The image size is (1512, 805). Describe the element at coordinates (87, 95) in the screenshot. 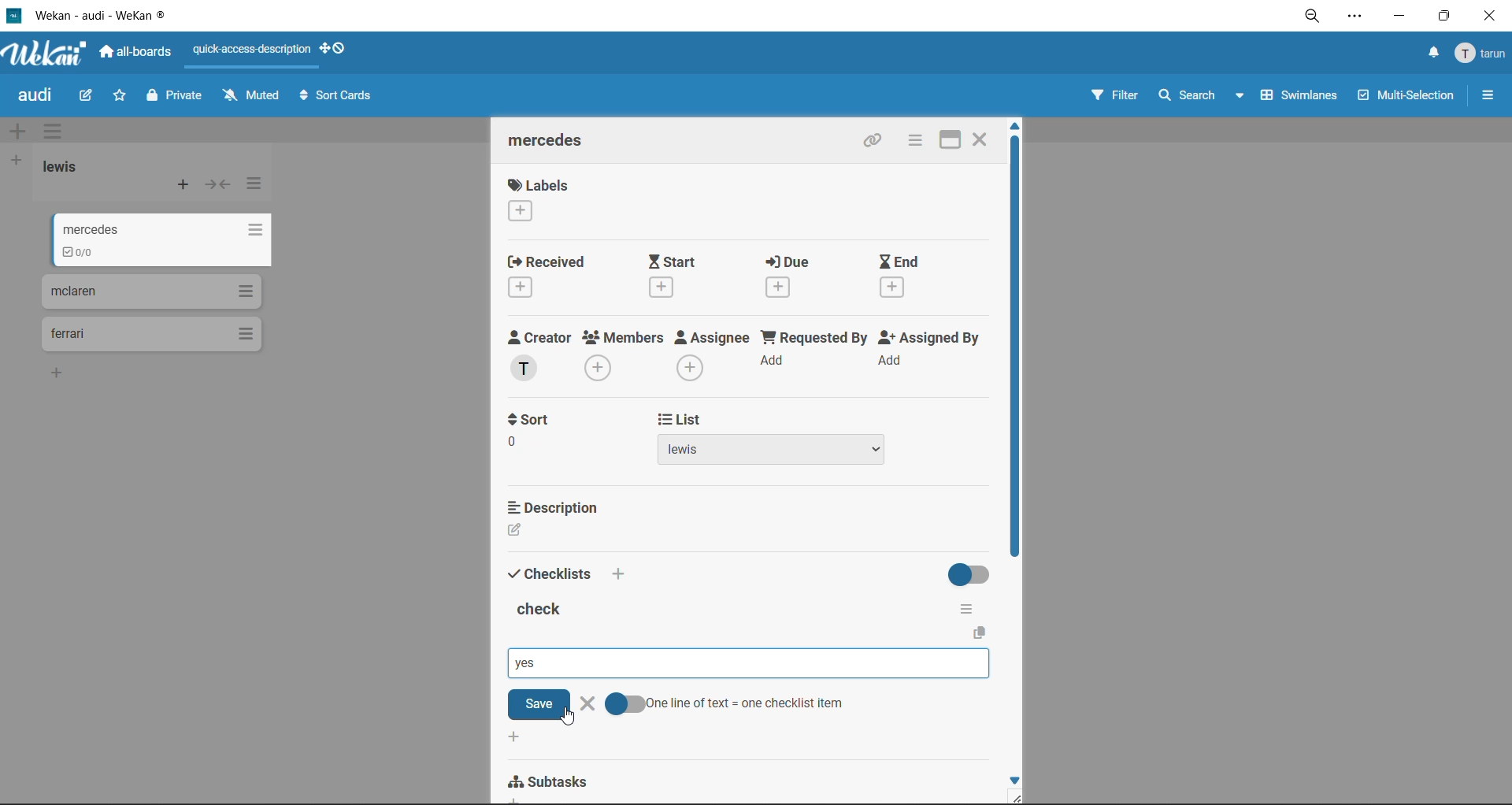

I see `edit` at that location.